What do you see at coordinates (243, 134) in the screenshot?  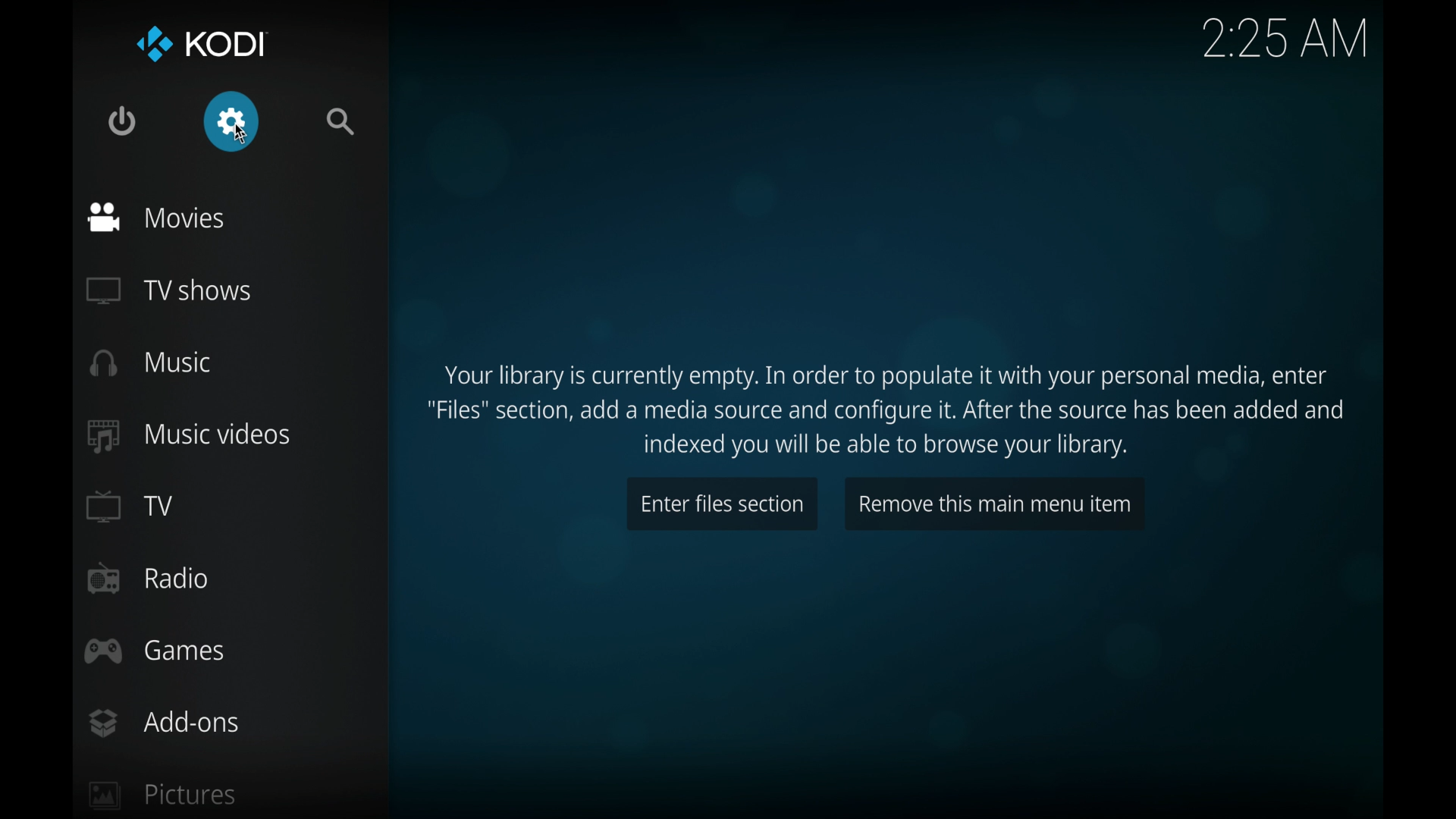 I see `cursor` at bounding box center [243, 134].